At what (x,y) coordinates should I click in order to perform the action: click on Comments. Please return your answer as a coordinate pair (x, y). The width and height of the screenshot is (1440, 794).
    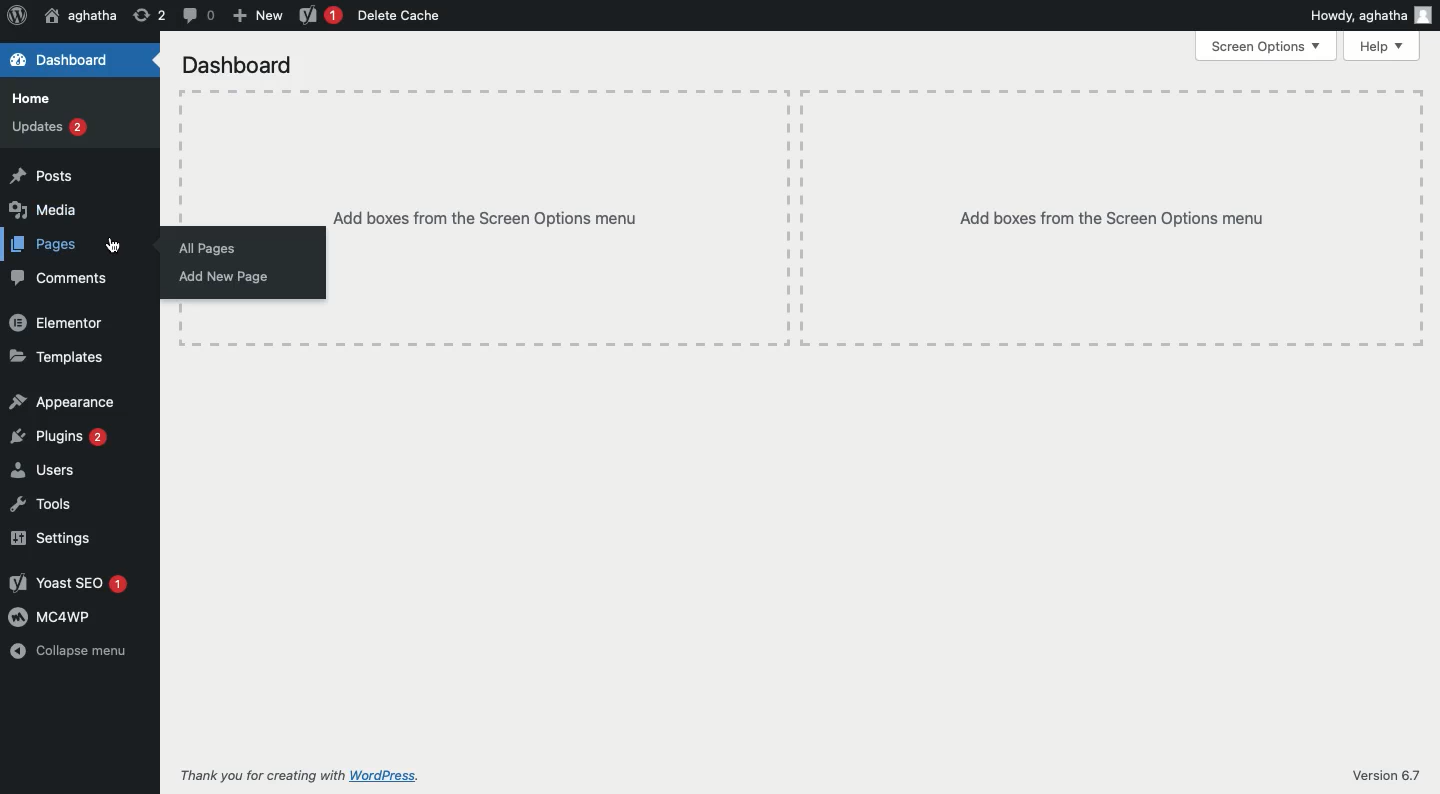
    Looking at the image, I should click on (58, 278).